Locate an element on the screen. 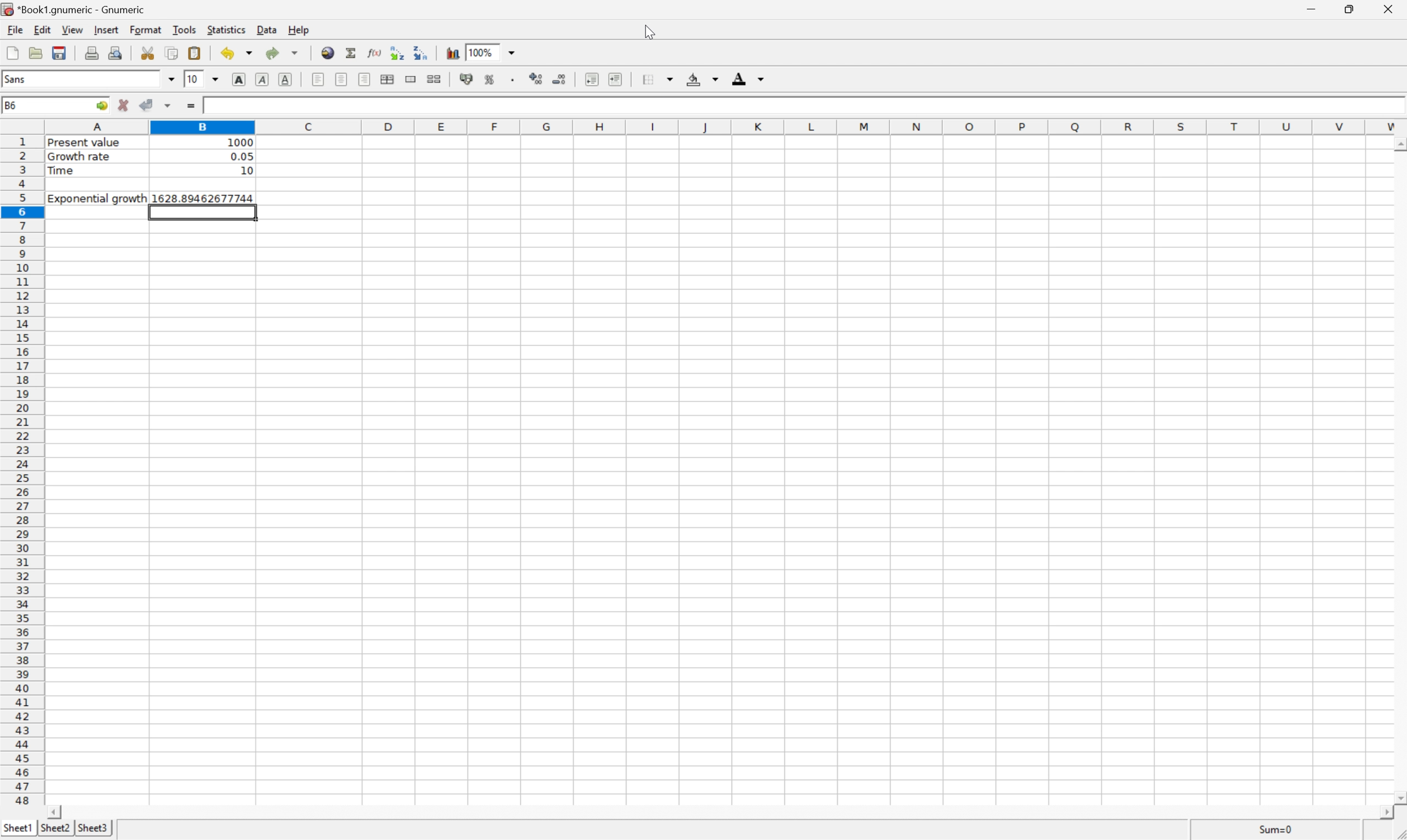  Scroll Right is located at coordinates (1384, 813).